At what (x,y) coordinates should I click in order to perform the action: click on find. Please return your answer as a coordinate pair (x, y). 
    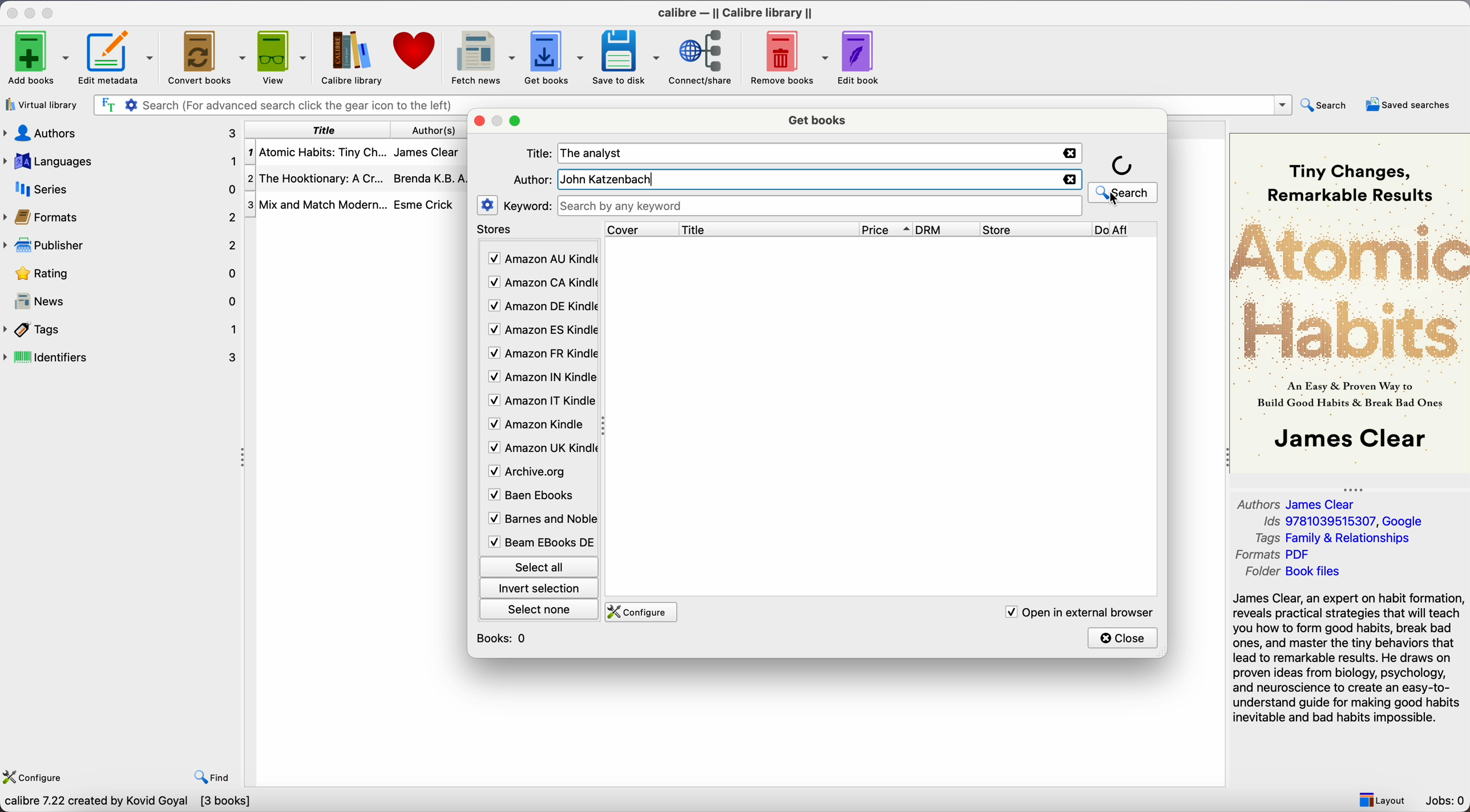
    Looking at the image, I should click on (215, 778).